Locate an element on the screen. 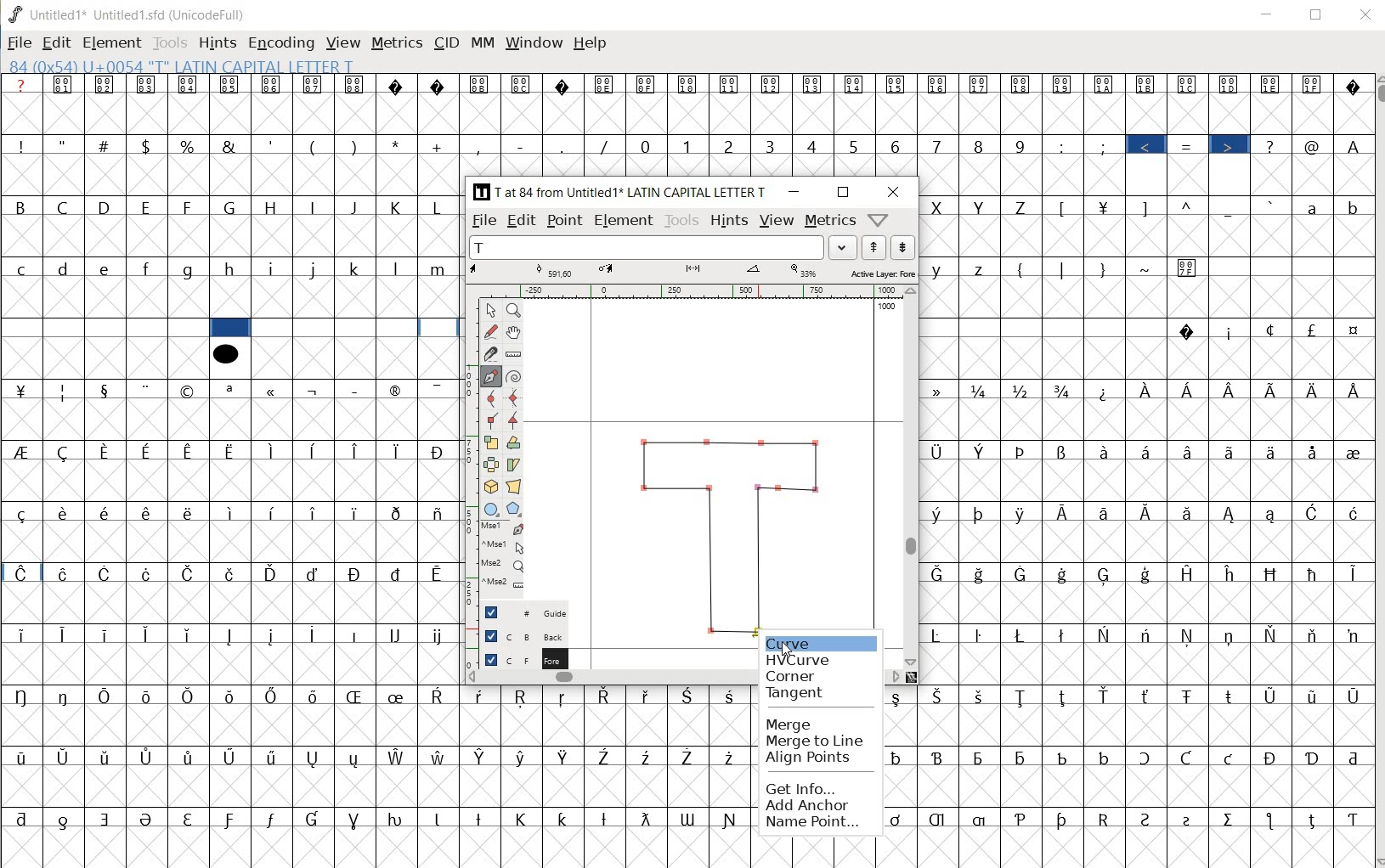 The width and height of the screenshot is (1385, 868). Symbol is located at coordinates (273, 391).